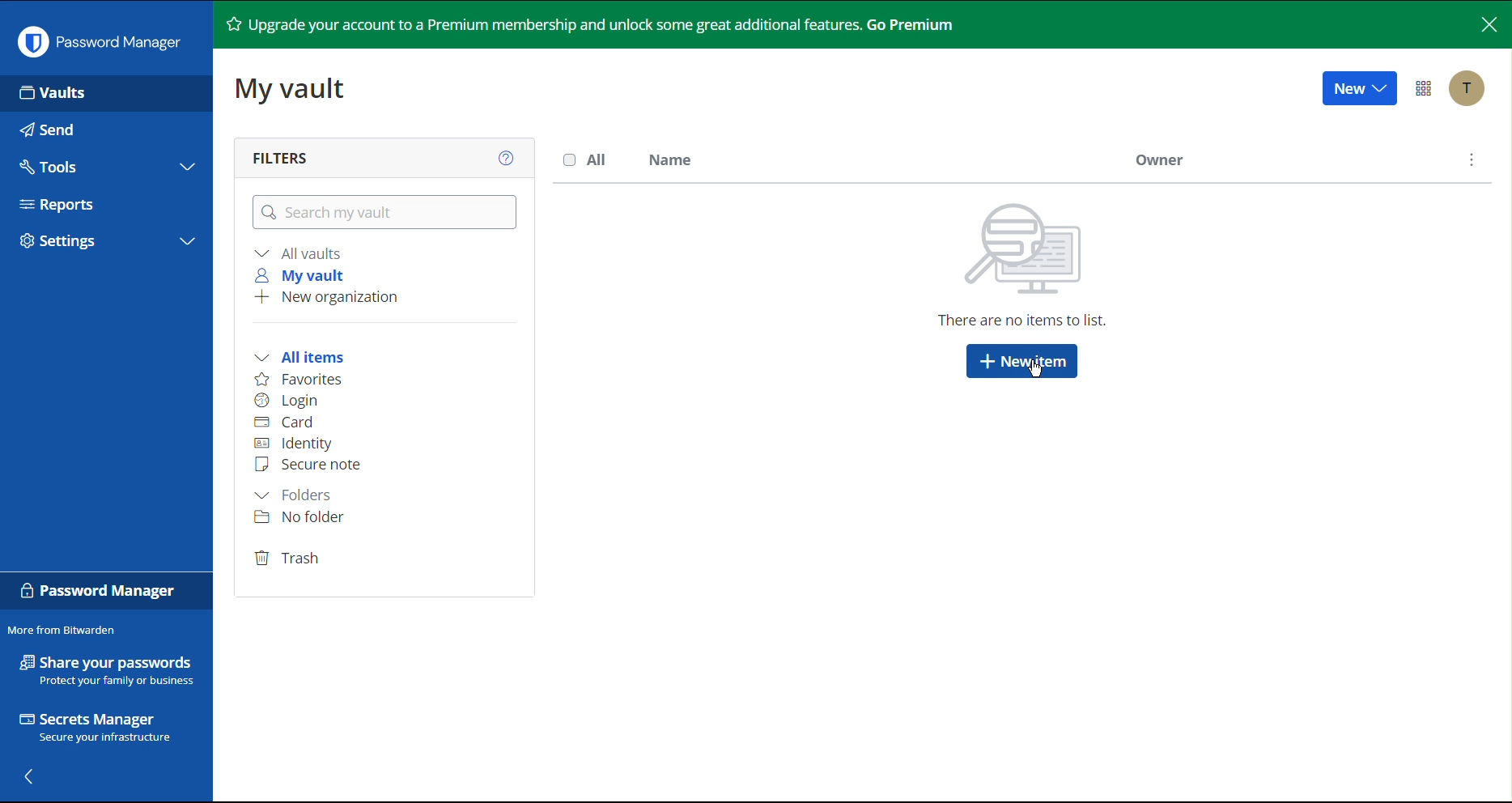 This screenshot has width=1512, height=803. Describe the element at coordinates (586, 160) in the screenshot. I see `All` at that location.